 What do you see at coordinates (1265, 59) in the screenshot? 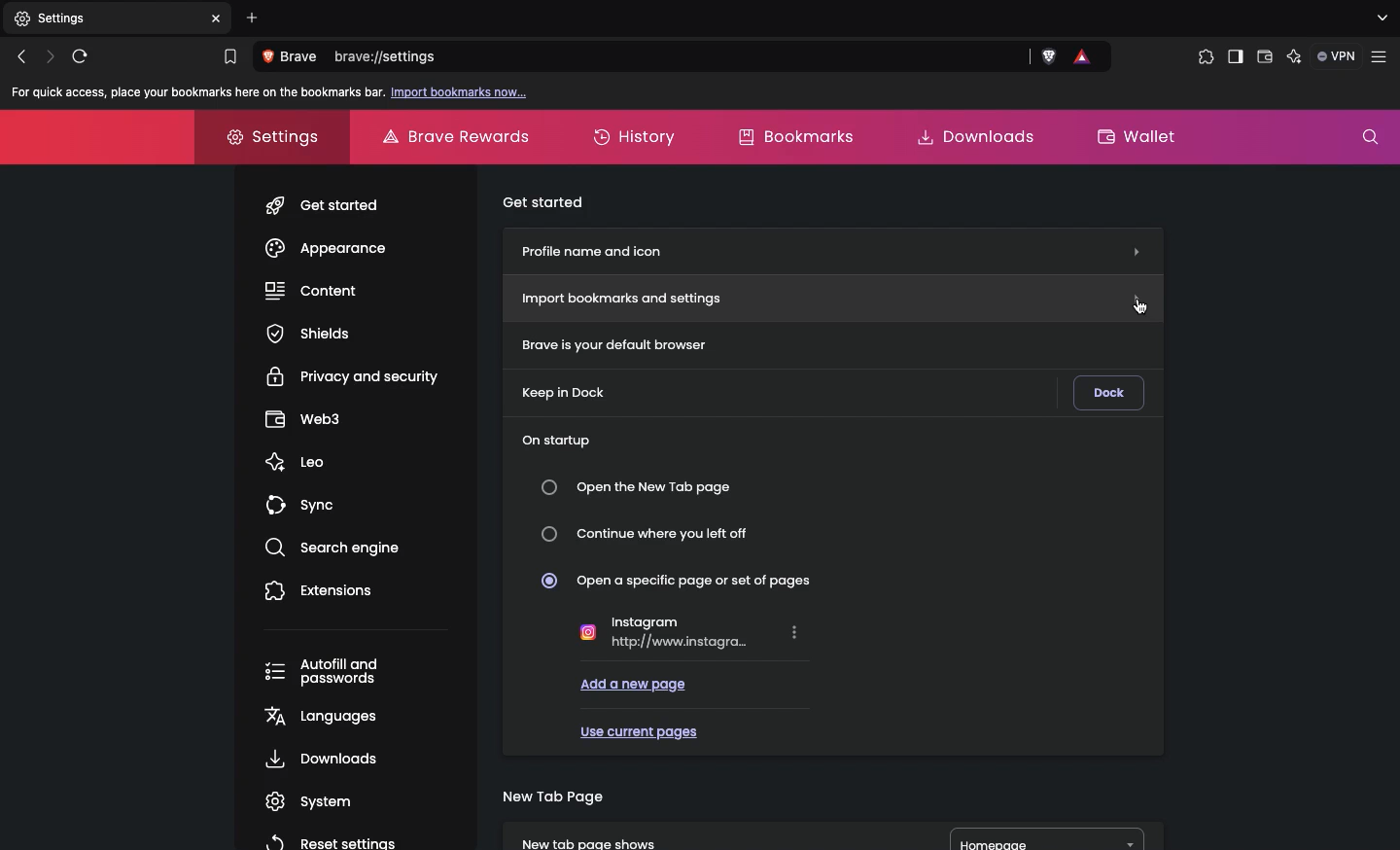
I see `Wallet` at bounding box center [1265, 59].